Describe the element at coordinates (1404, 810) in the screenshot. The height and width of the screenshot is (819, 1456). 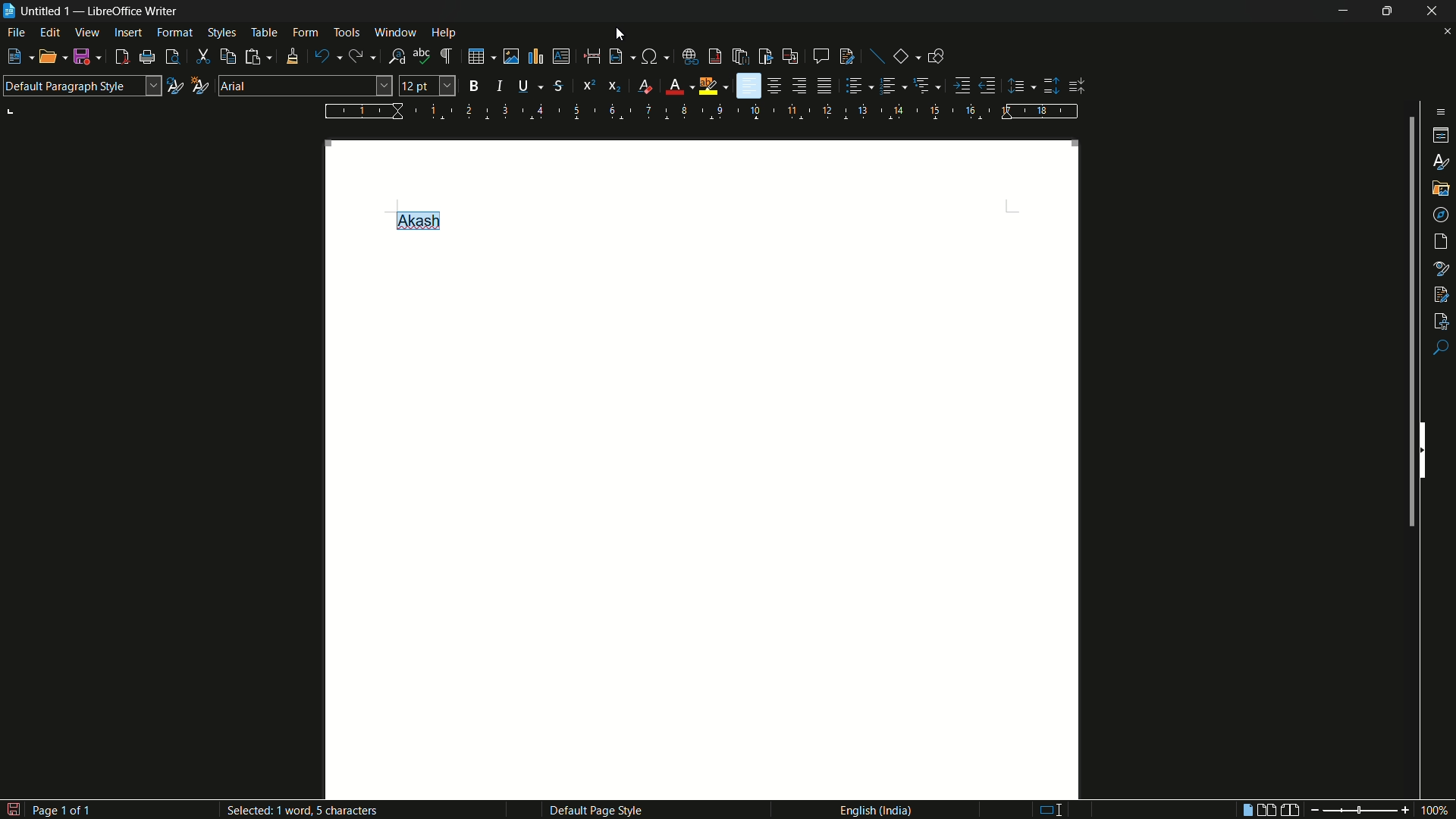
I see `zoom in` at that location.